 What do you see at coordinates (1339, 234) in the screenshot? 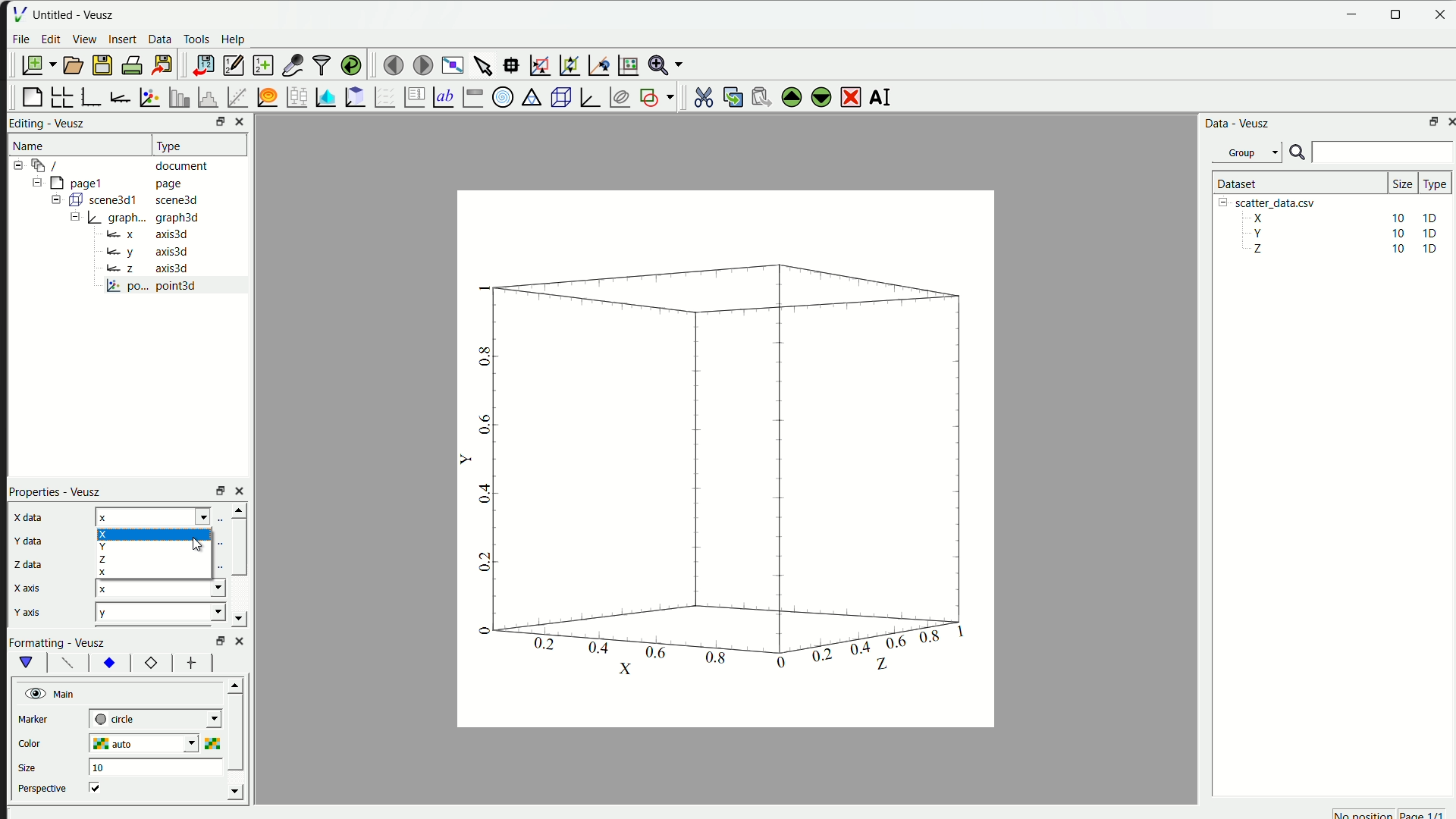
I see `Y 10 10` at bounding box center [1339, 234].